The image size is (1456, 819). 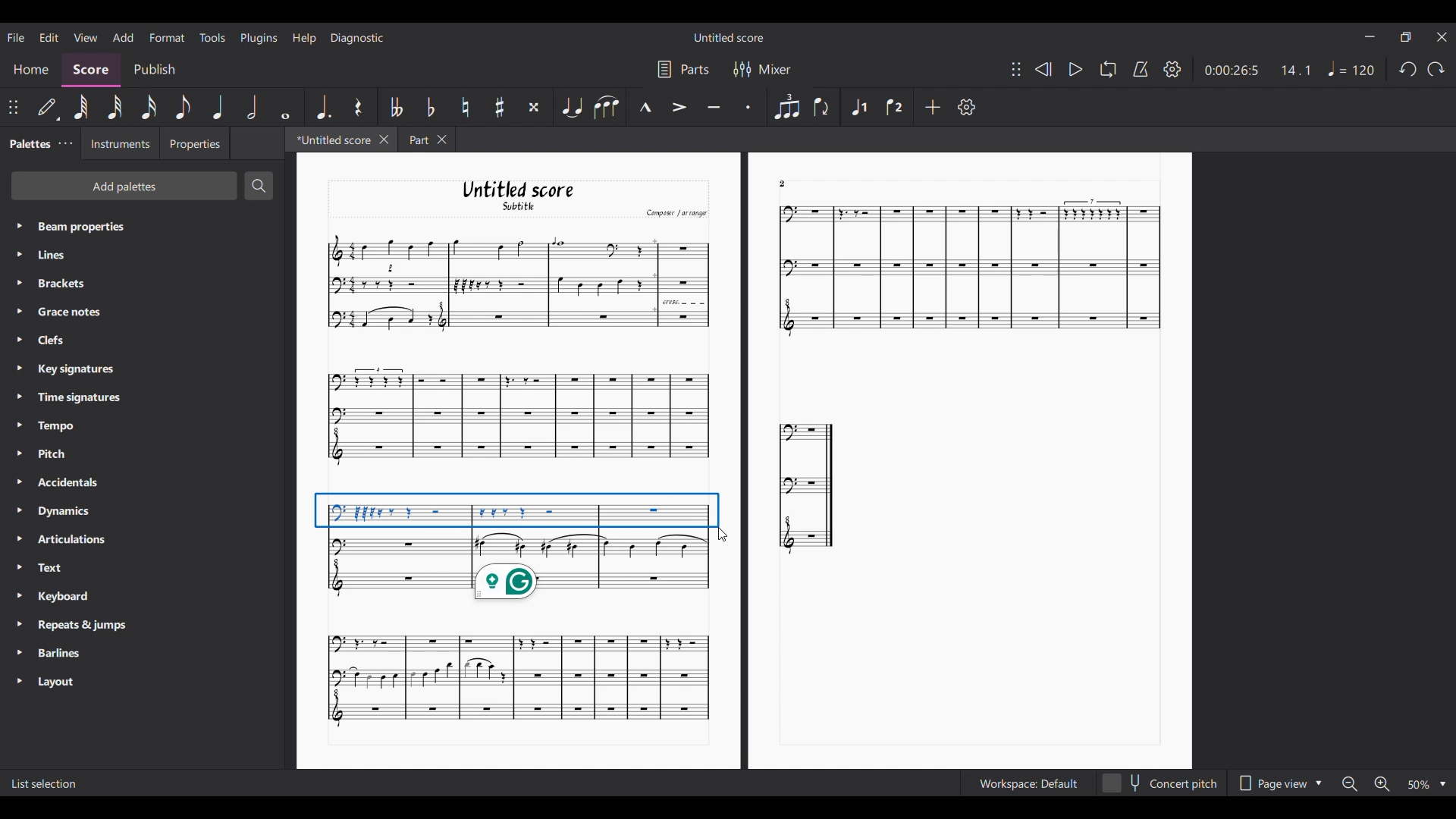 I want to click on Minimize, so click(x=1370, y=36).